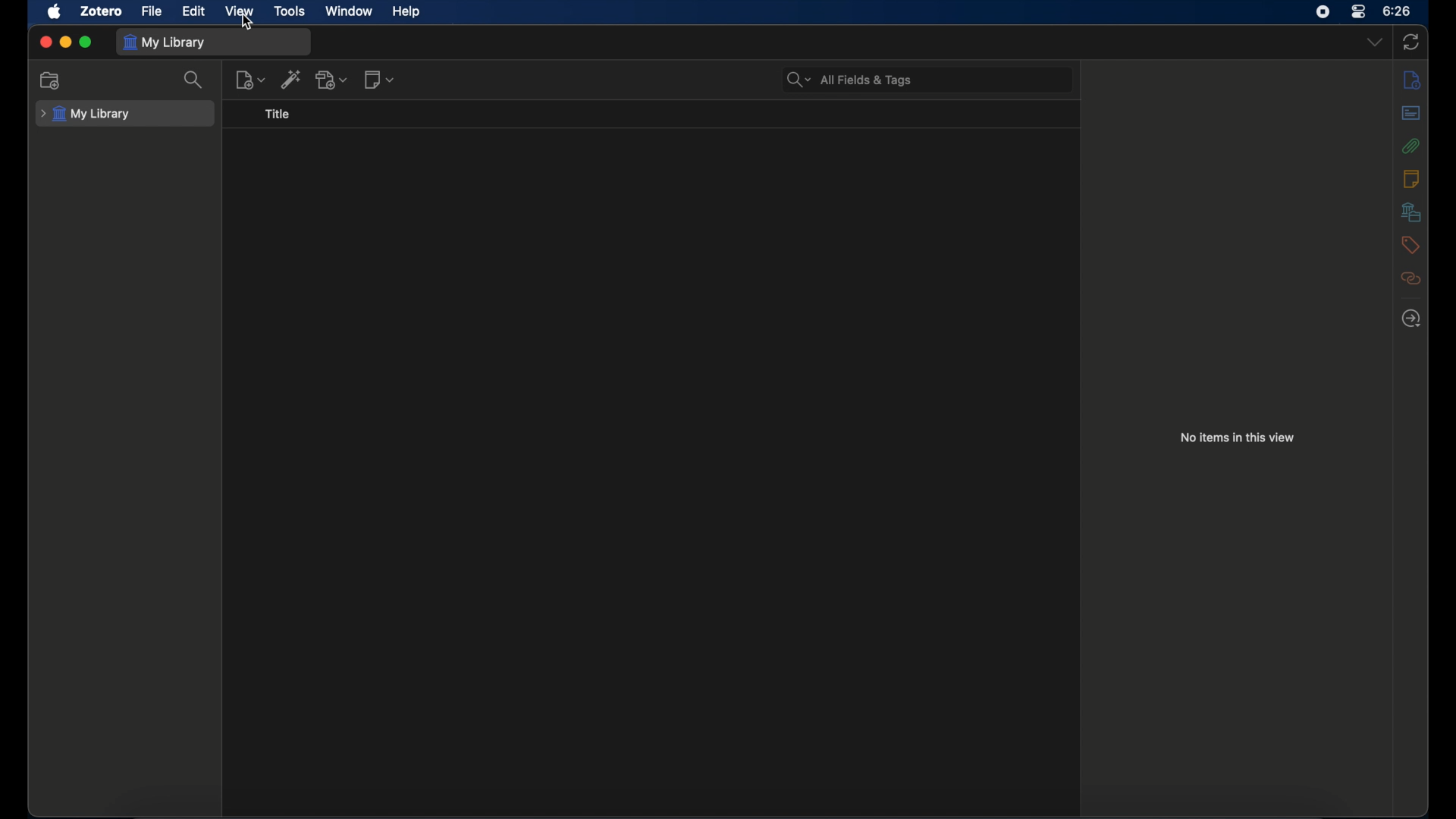 The height and width of the screenshot is (819, 1456). Describe the element at coordinates (1410, 245) in the screenshot. I see `tags` at that location.